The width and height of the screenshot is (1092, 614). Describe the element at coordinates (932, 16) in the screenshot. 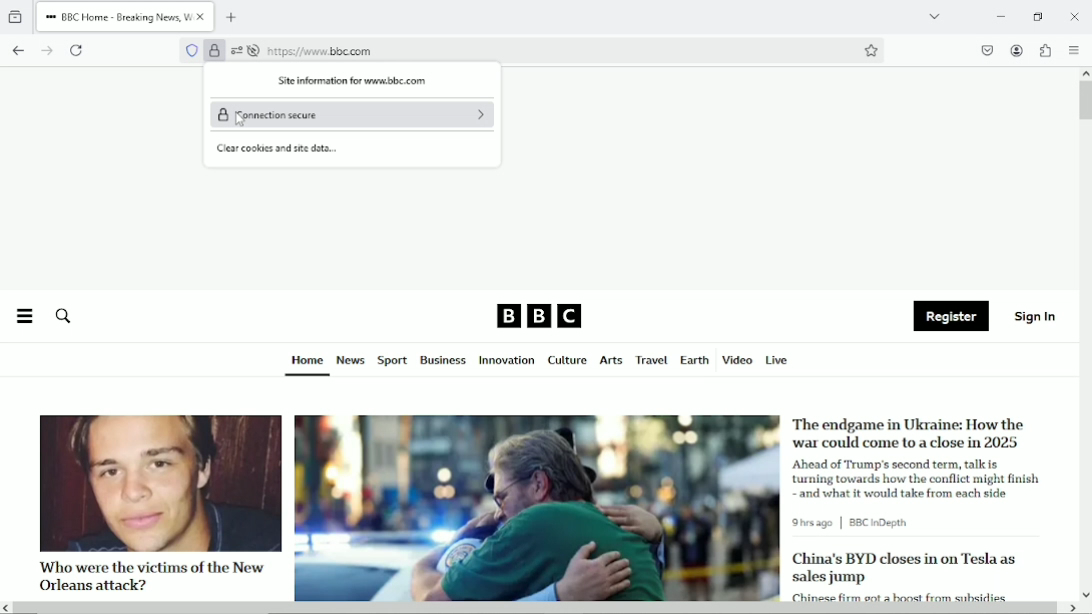

I see `List all tabs` at that location.